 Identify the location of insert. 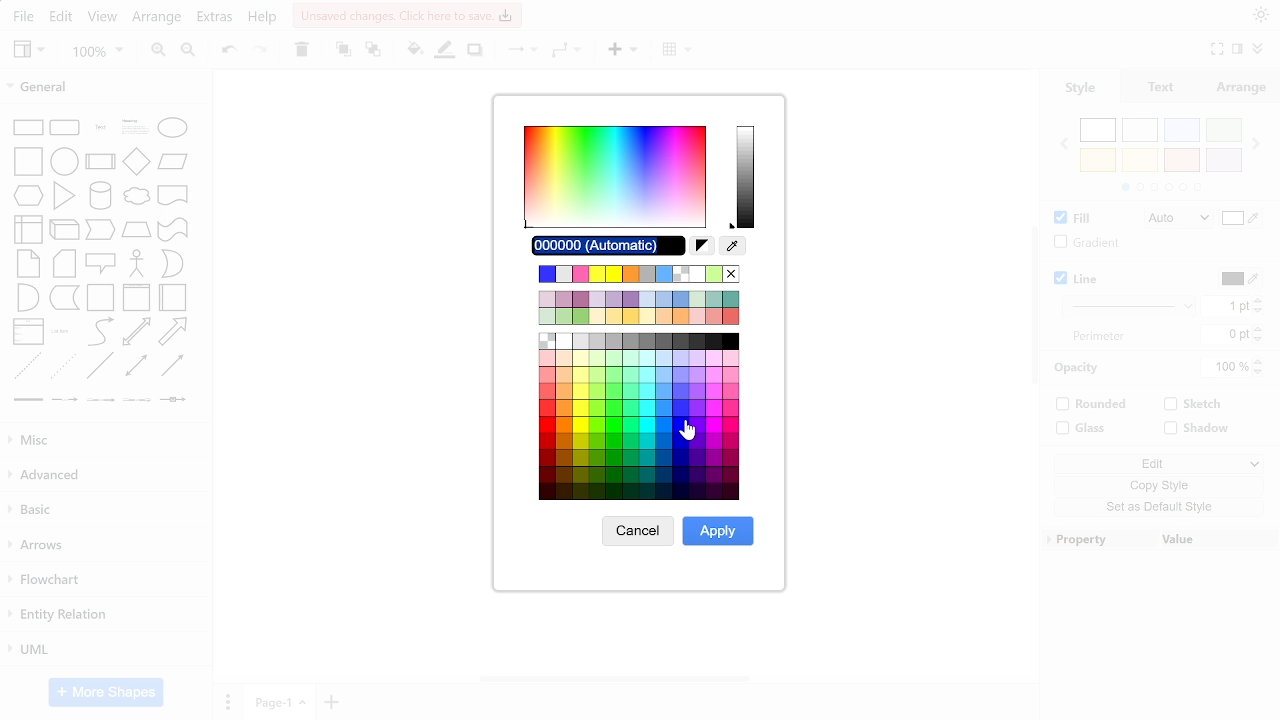
(622, 52).